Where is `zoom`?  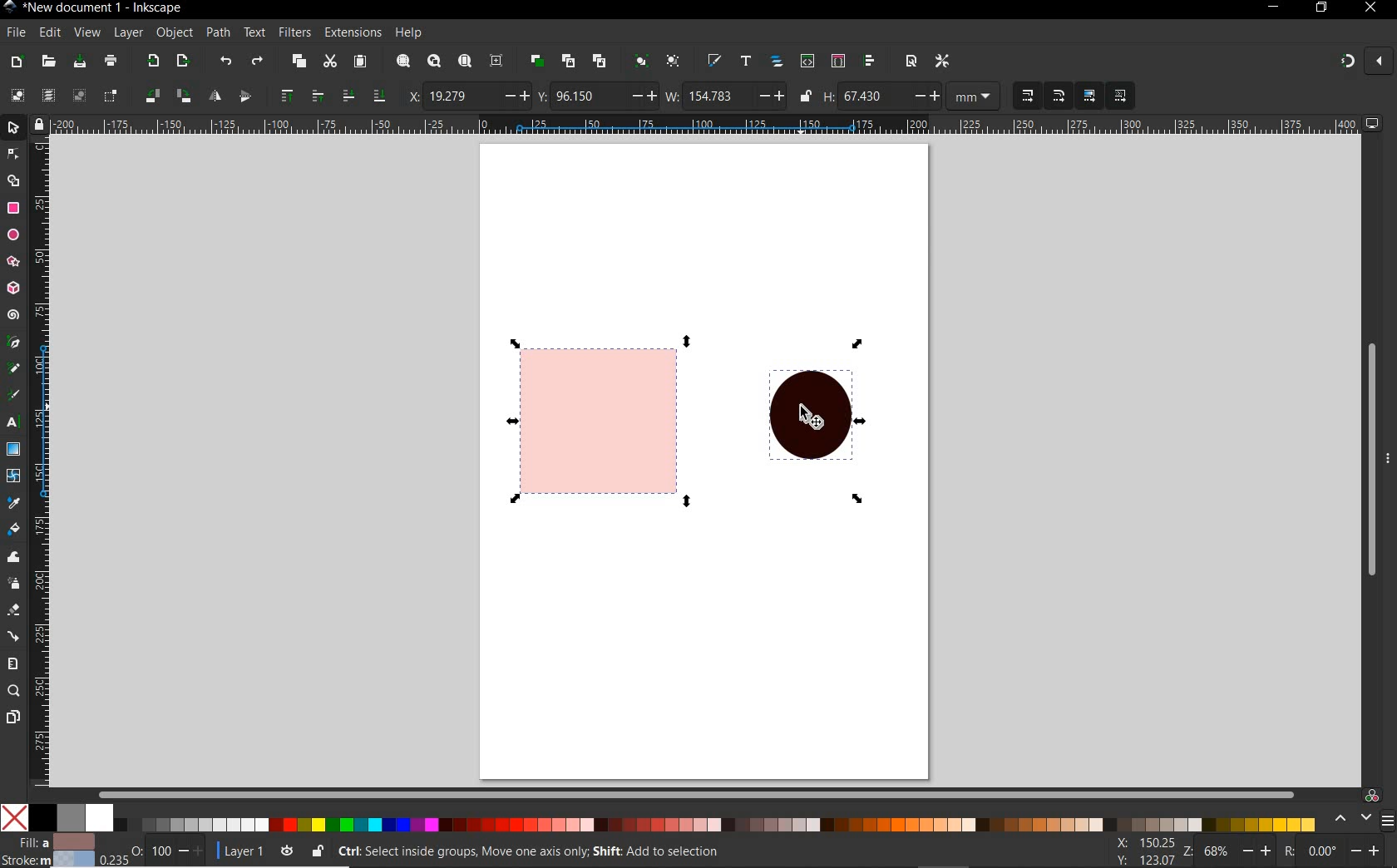 zoom is located at coordinates (1236, 853).